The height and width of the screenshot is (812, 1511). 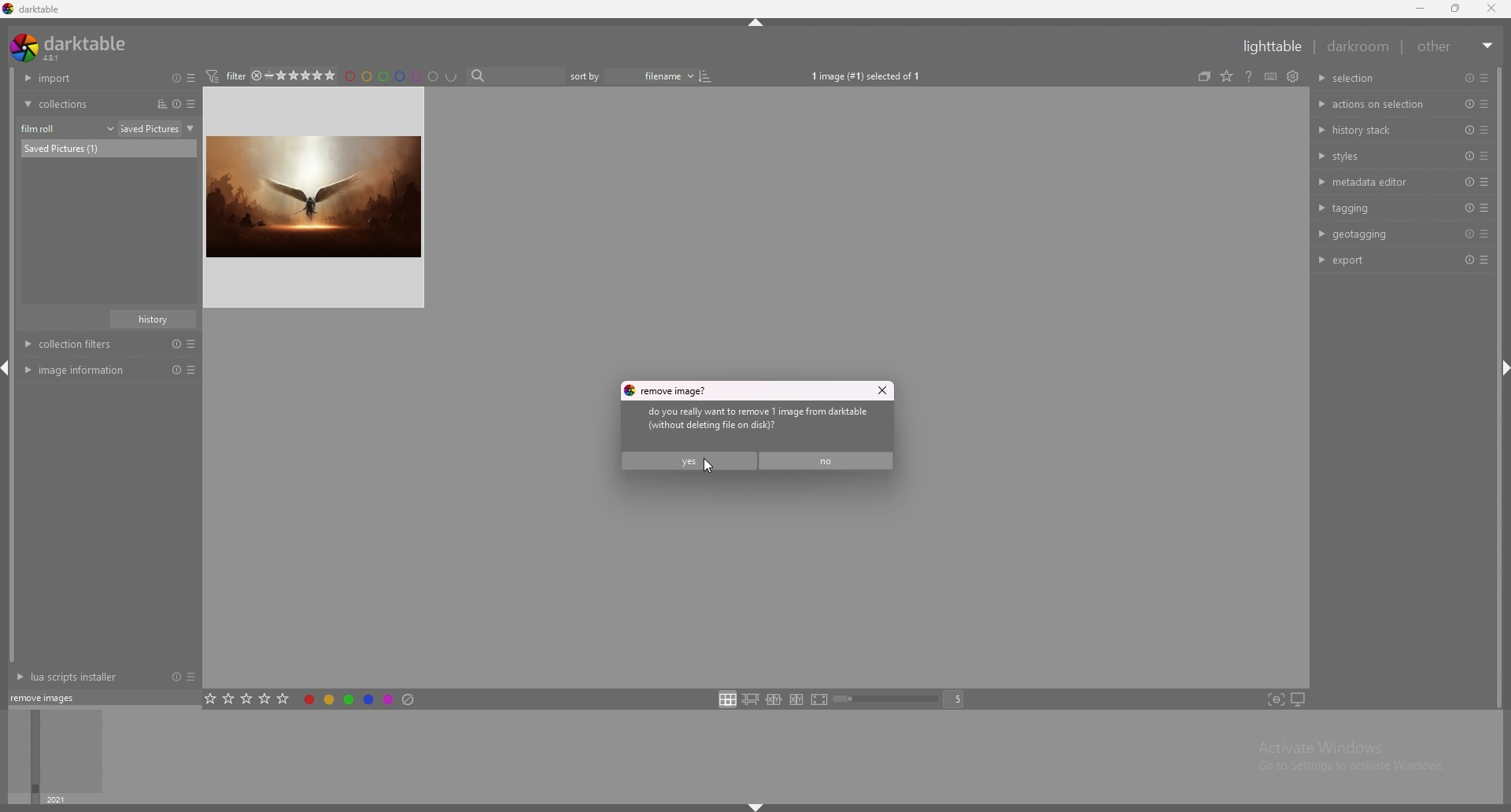 What do you see at coordinates (248, 697) in the screenshot?
I see `rate` at bounding box center [248, 697].